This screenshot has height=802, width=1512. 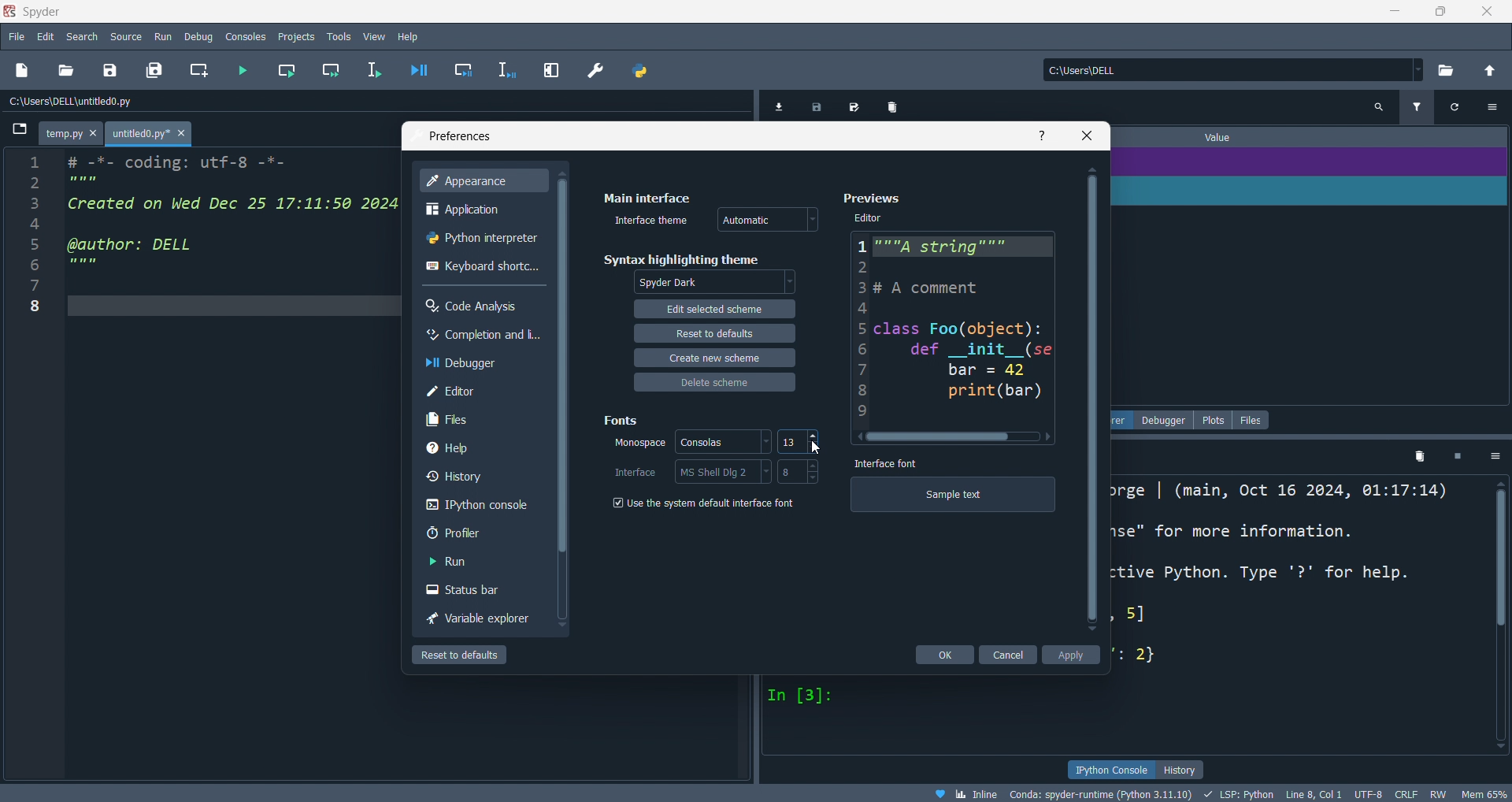 What do you see at coordinates (1072, 654) in the screenshot?
I see `apply` at bounding box center [1072, 654].